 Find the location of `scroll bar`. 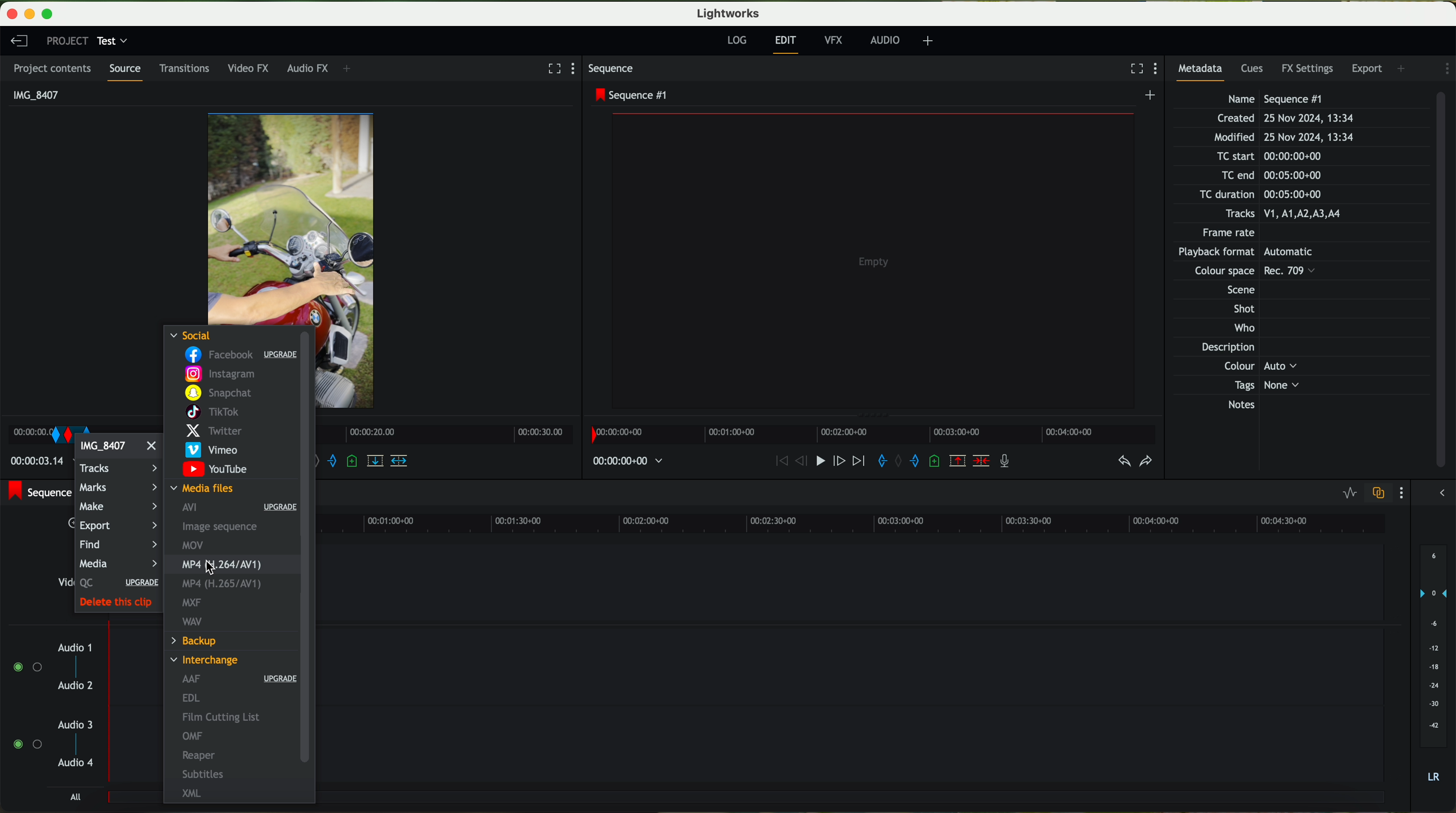

scroll bar is located at coordinates (1446, 281).